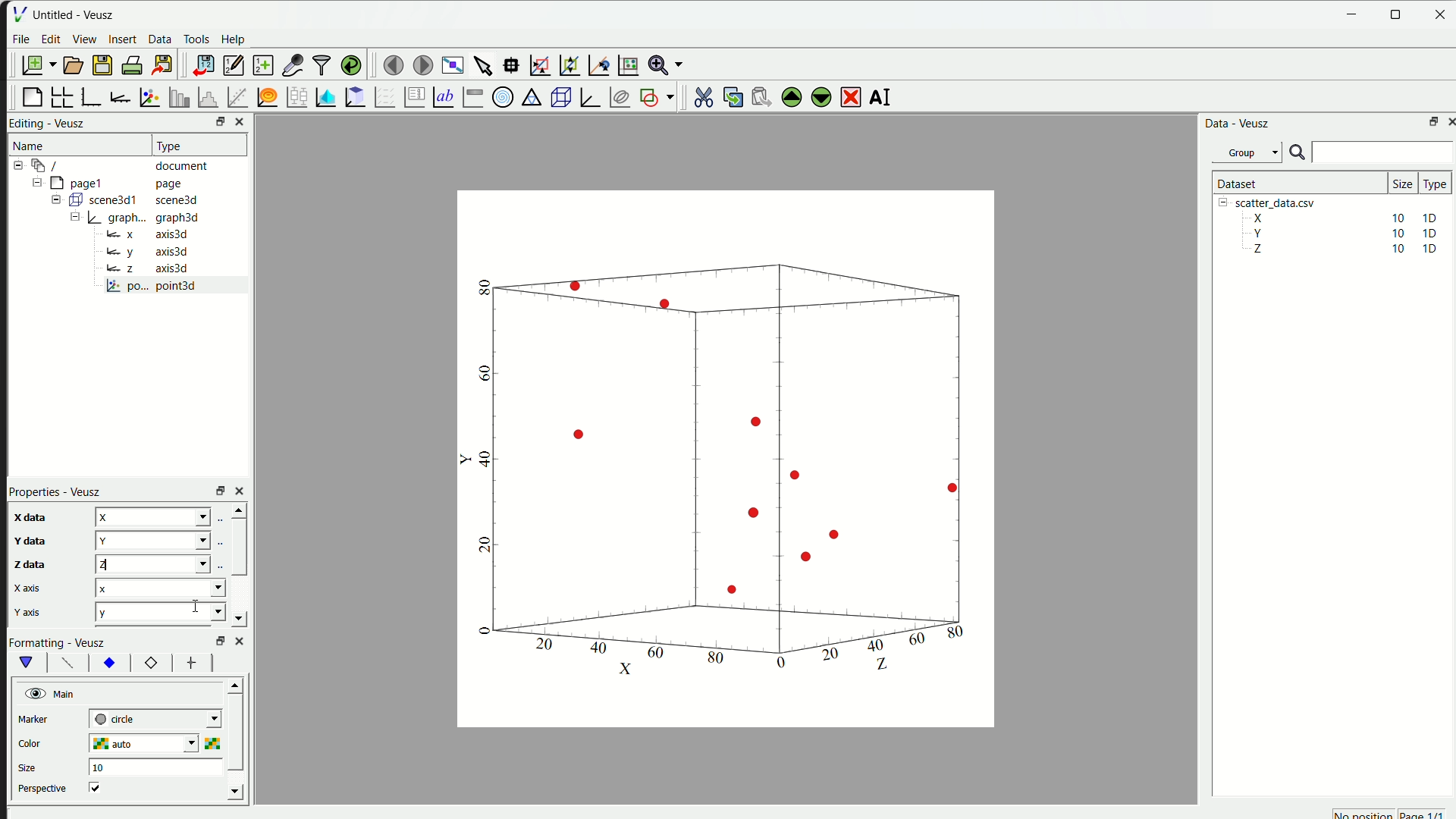  Describe the element at coordinates (97, 767) in the screenshot. I see `10` at that location.